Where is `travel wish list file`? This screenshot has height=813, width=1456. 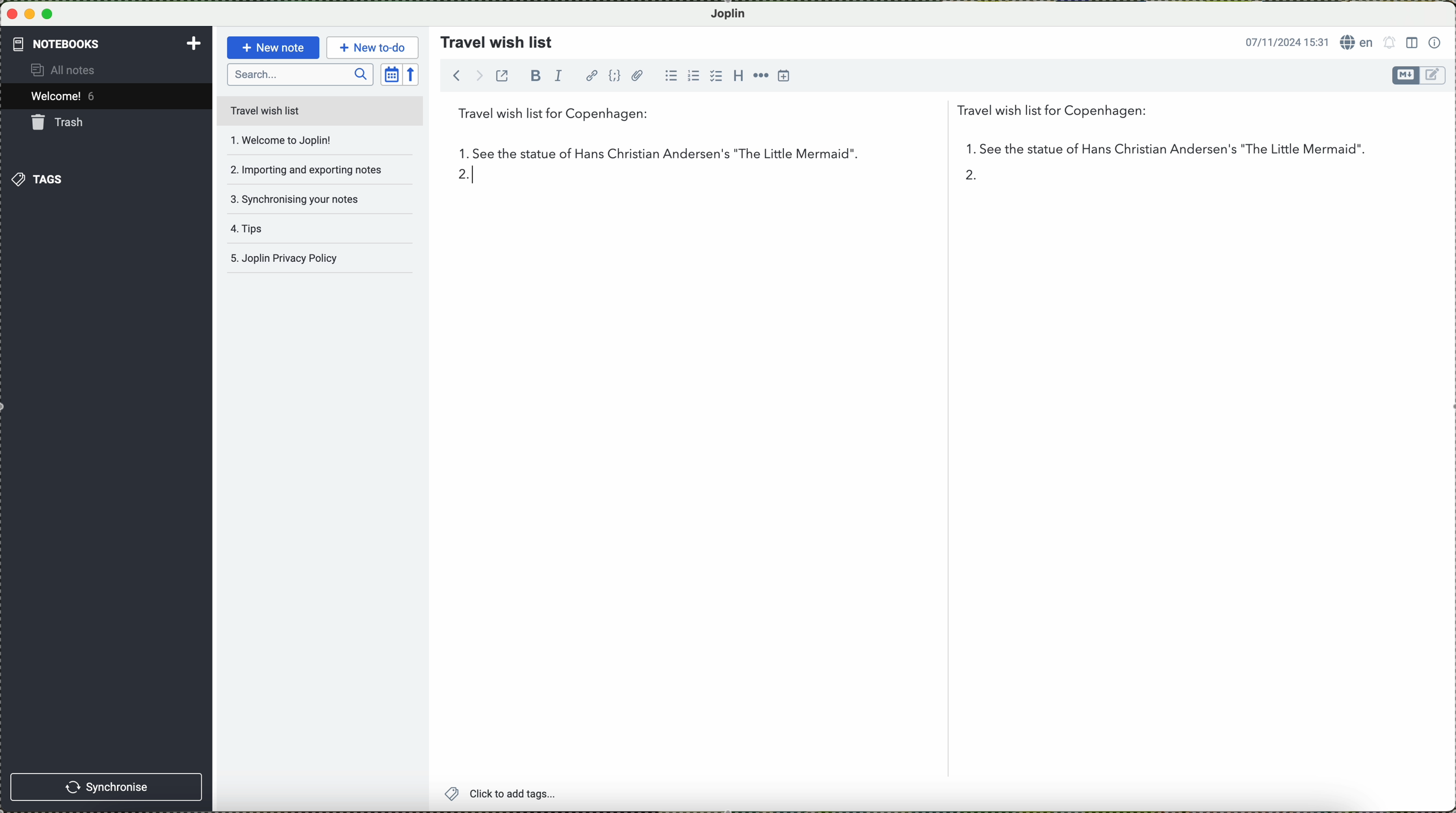 travel wish list file is located at coordinates (319, 110).